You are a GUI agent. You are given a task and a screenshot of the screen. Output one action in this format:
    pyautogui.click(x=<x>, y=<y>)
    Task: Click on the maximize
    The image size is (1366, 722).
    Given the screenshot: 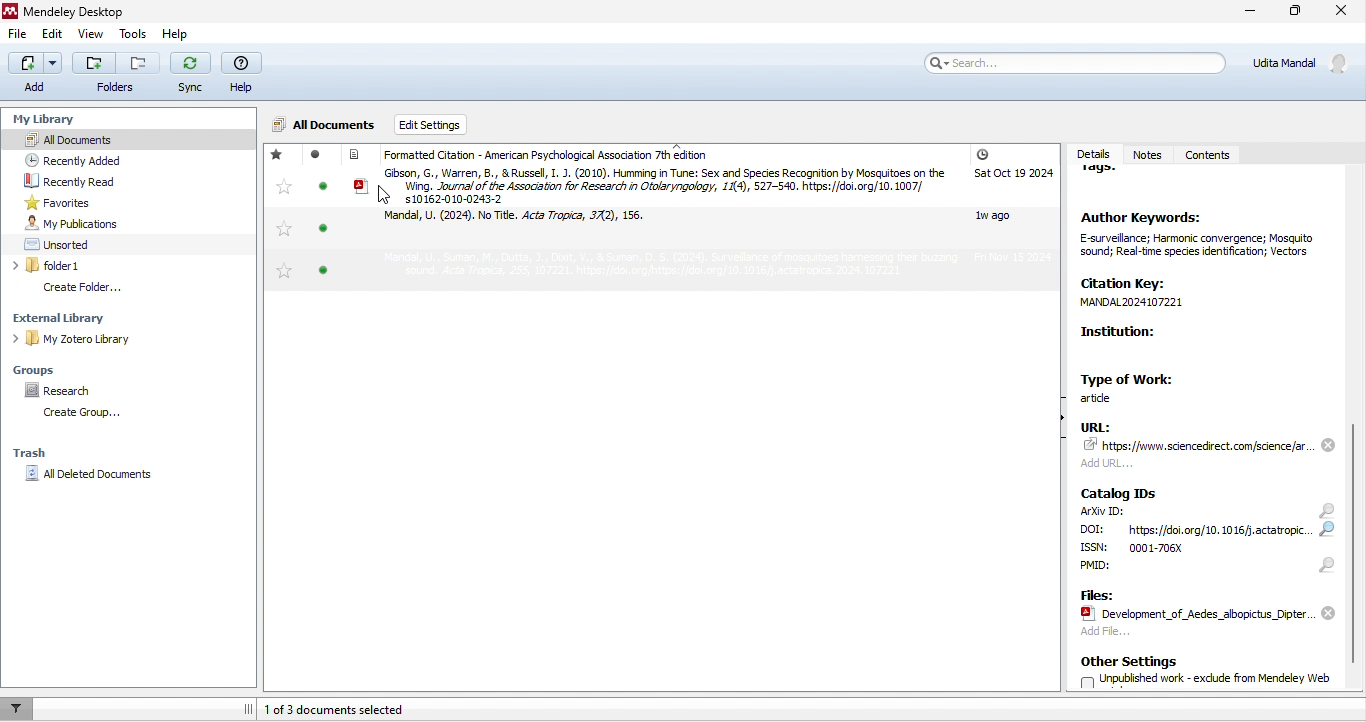 What is the action you would take?
    pyautogui.click(x=1291, y=14)
    